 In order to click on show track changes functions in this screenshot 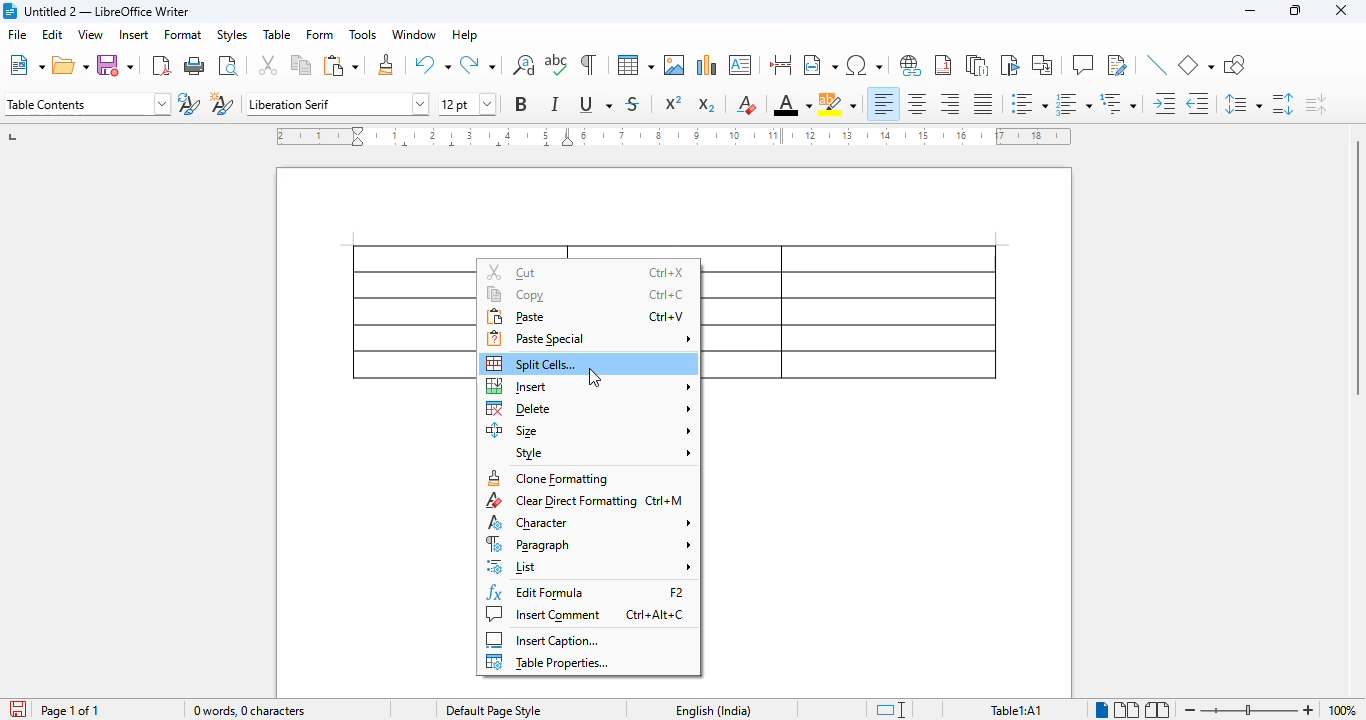, I will do `click(1118, 65)`.